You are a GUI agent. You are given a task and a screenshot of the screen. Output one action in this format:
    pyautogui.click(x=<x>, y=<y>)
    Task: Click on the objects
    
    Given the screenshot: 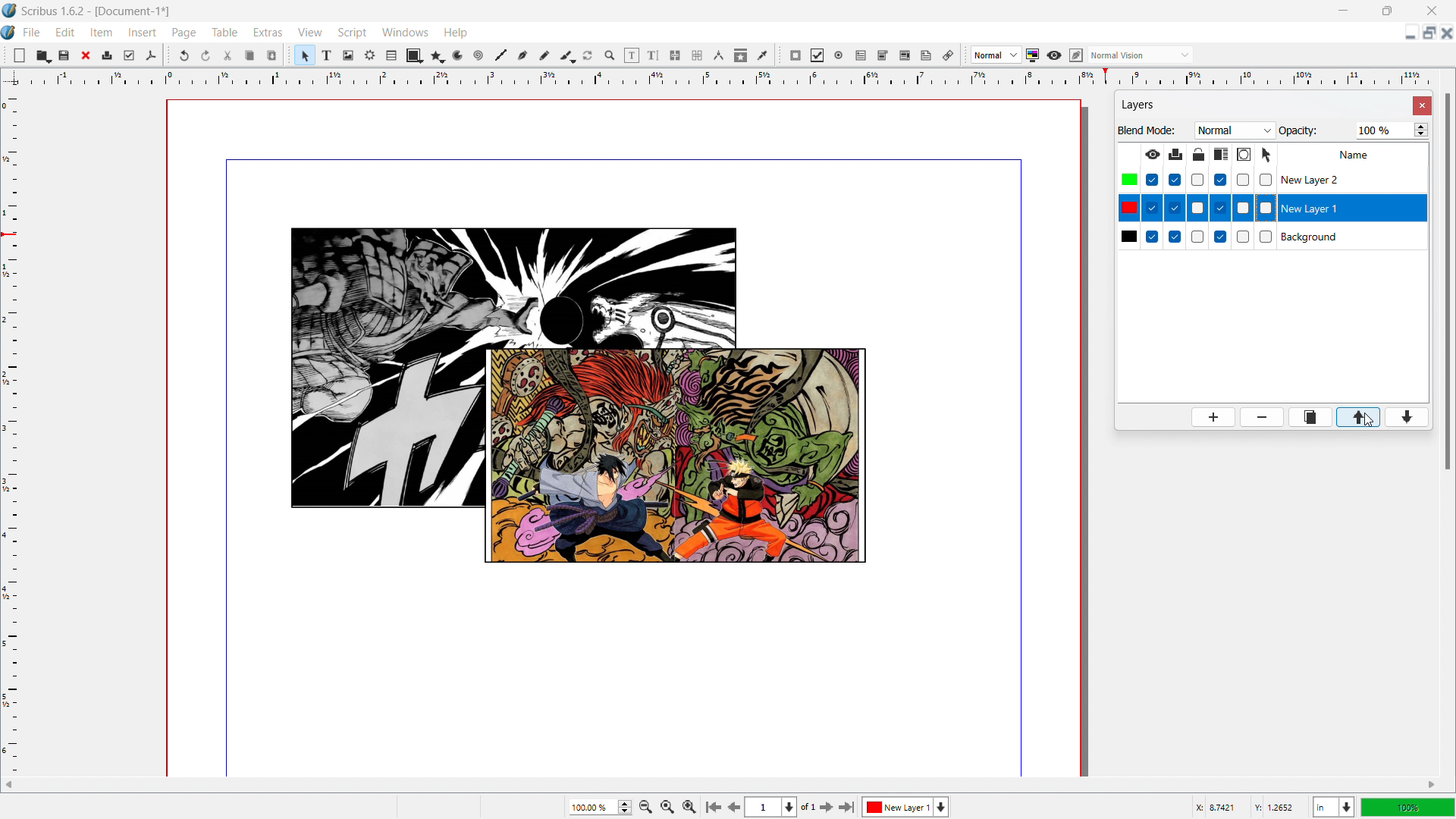 What is the action you would take?
    pyautogui.click(x=582, y=398)
    